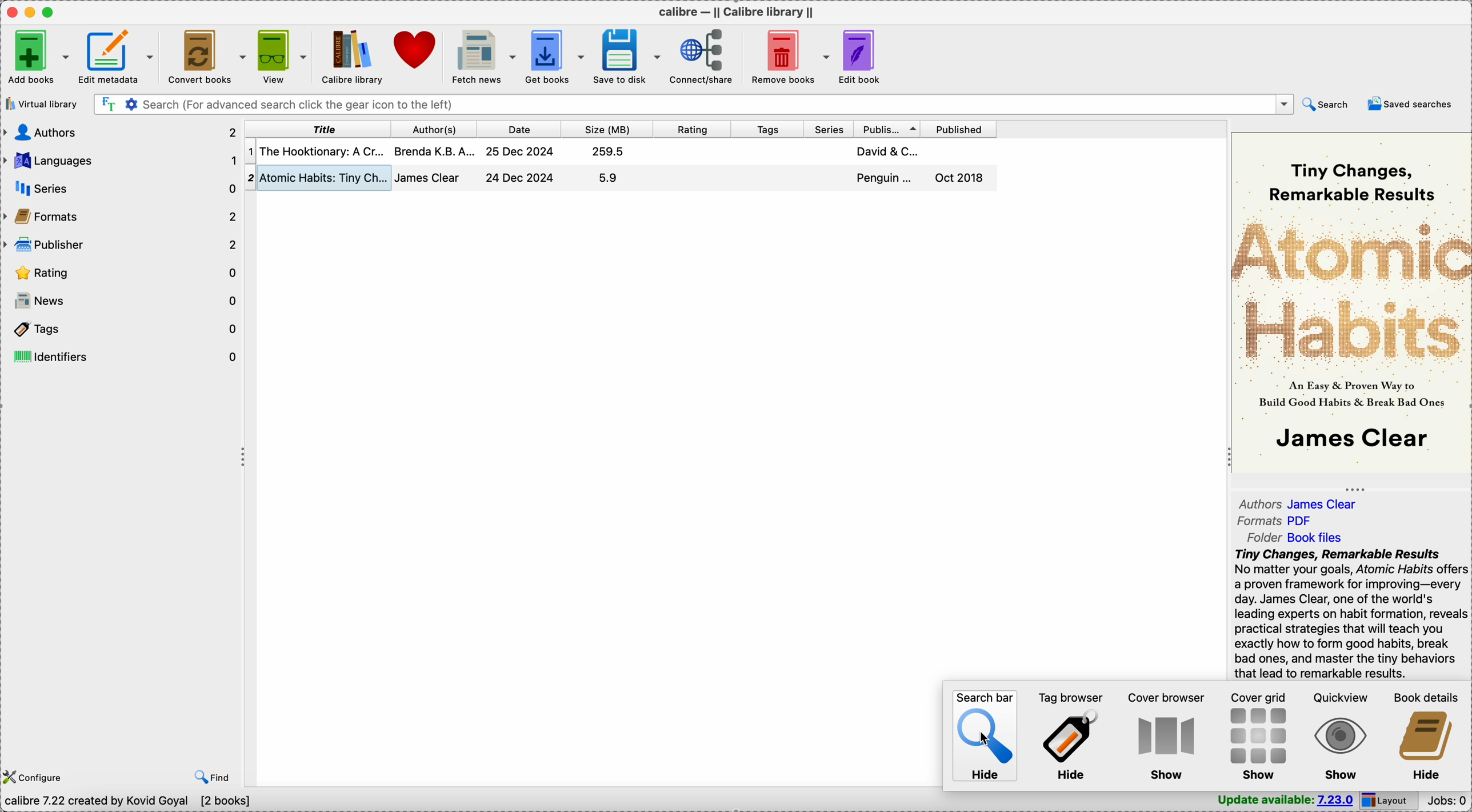  I want to click on hide book details, so click(1427, 739).